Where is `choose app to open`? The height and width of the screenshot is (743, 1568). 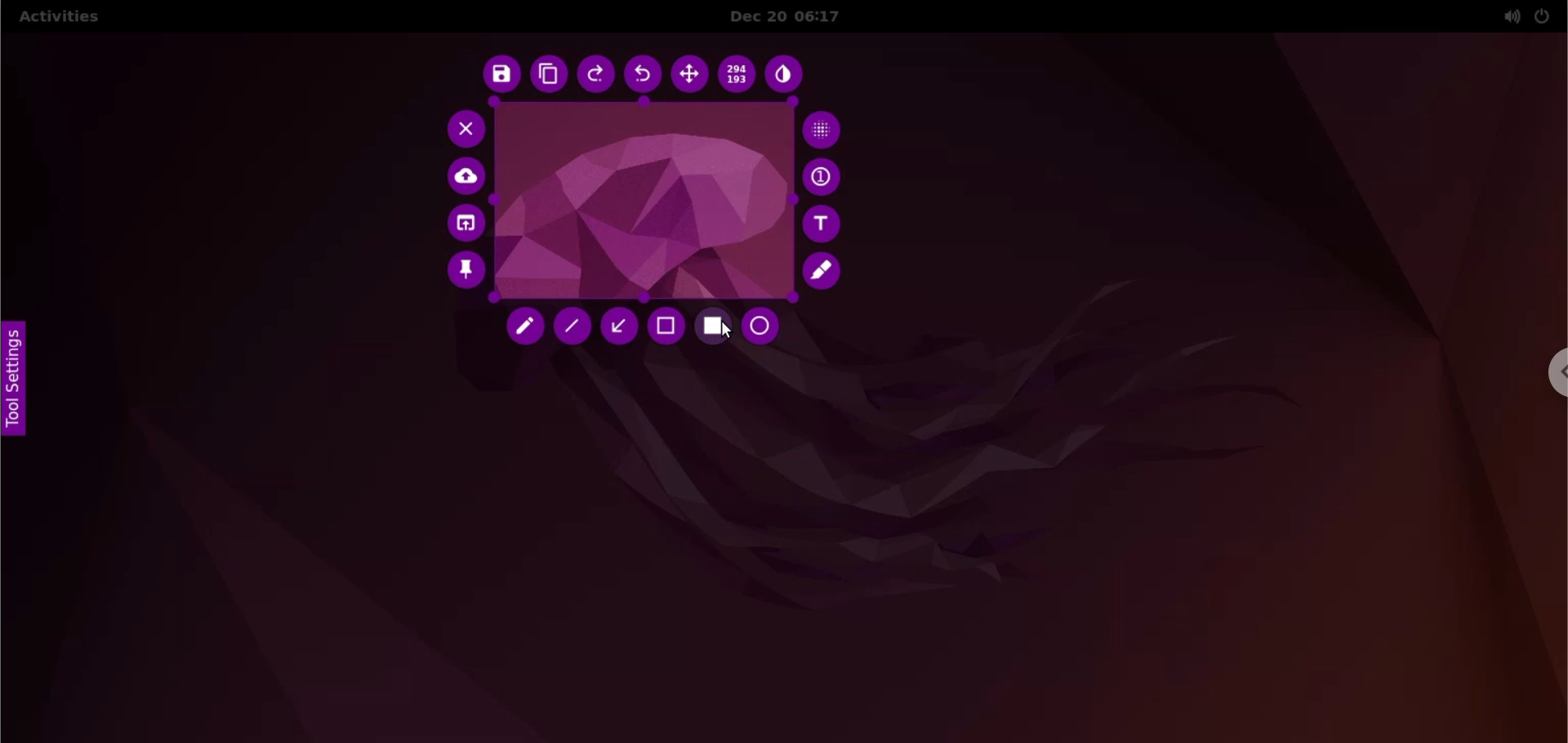 choose app to open is located at coordinates (464, 225).